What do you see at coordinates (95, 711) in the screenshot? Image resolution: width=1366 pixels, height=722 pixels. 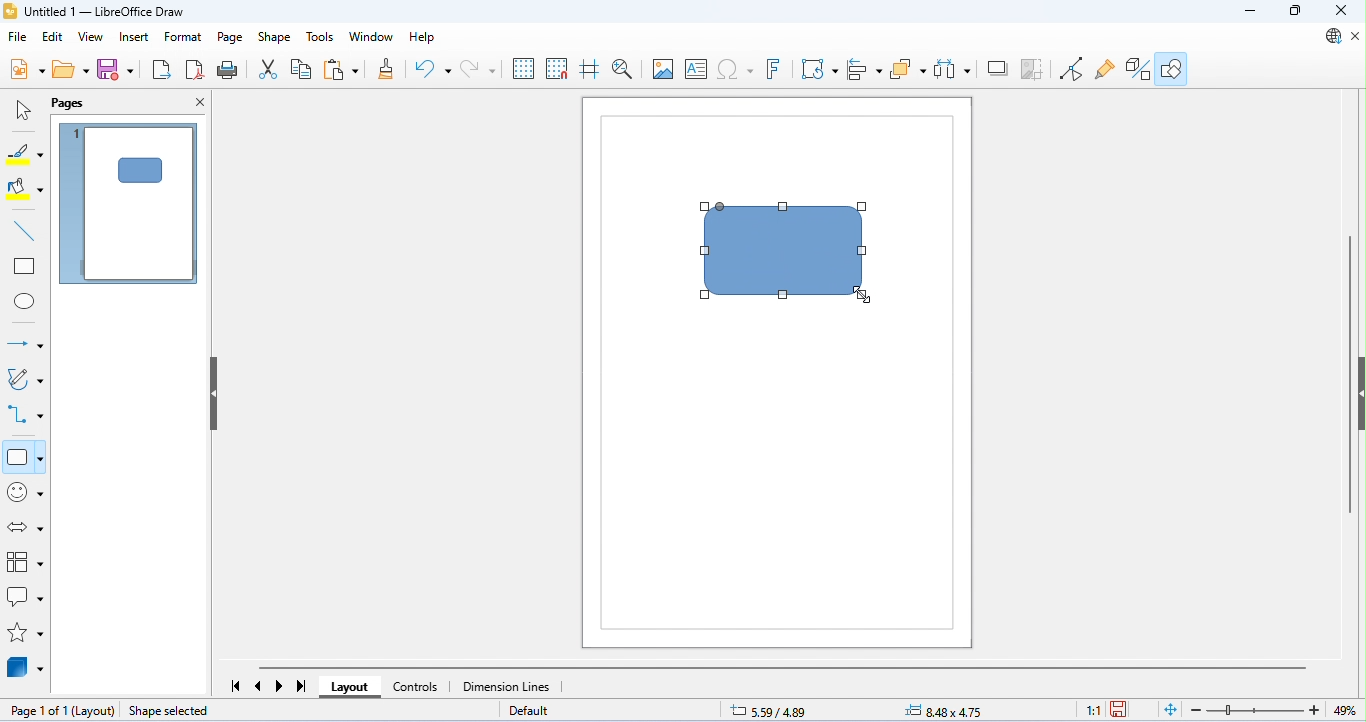 I see `layout` at bounding box center [95, 711].